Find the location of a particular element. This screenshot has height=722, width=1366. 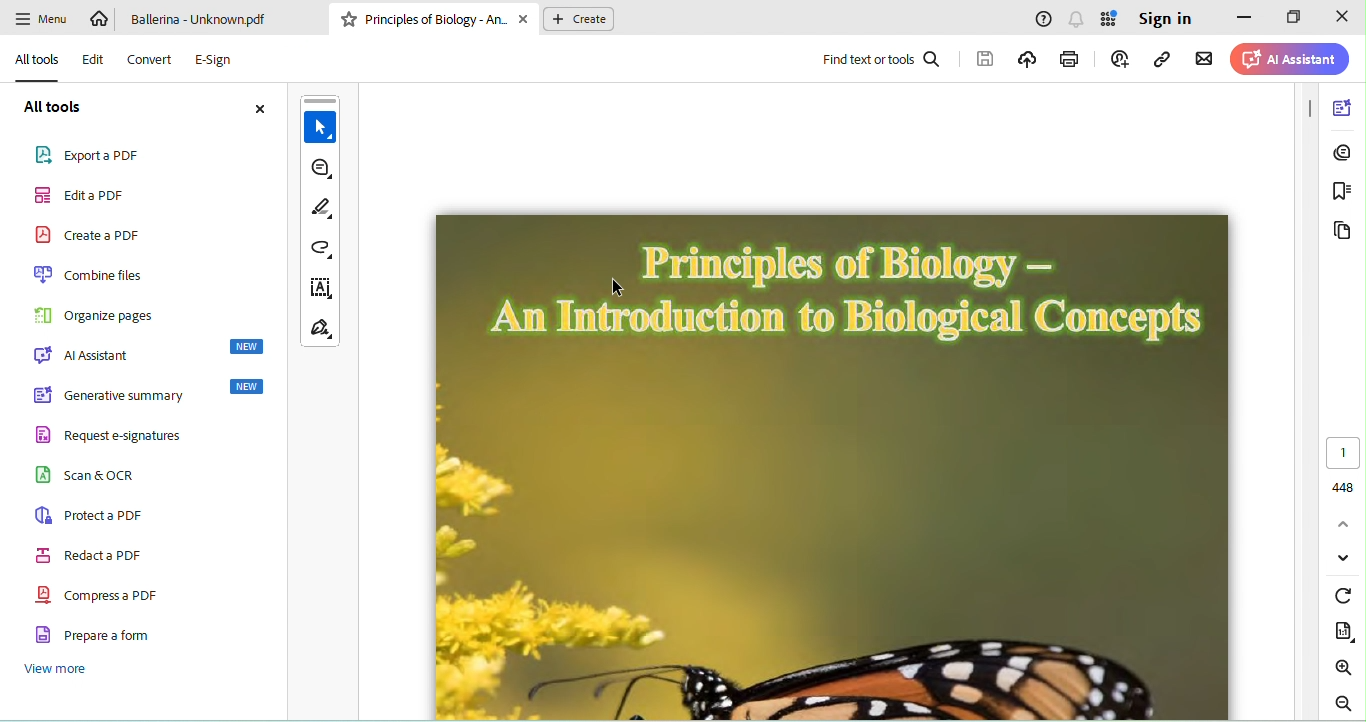

save changes to adobes cloud storage is located at coordinates (1027, 60).